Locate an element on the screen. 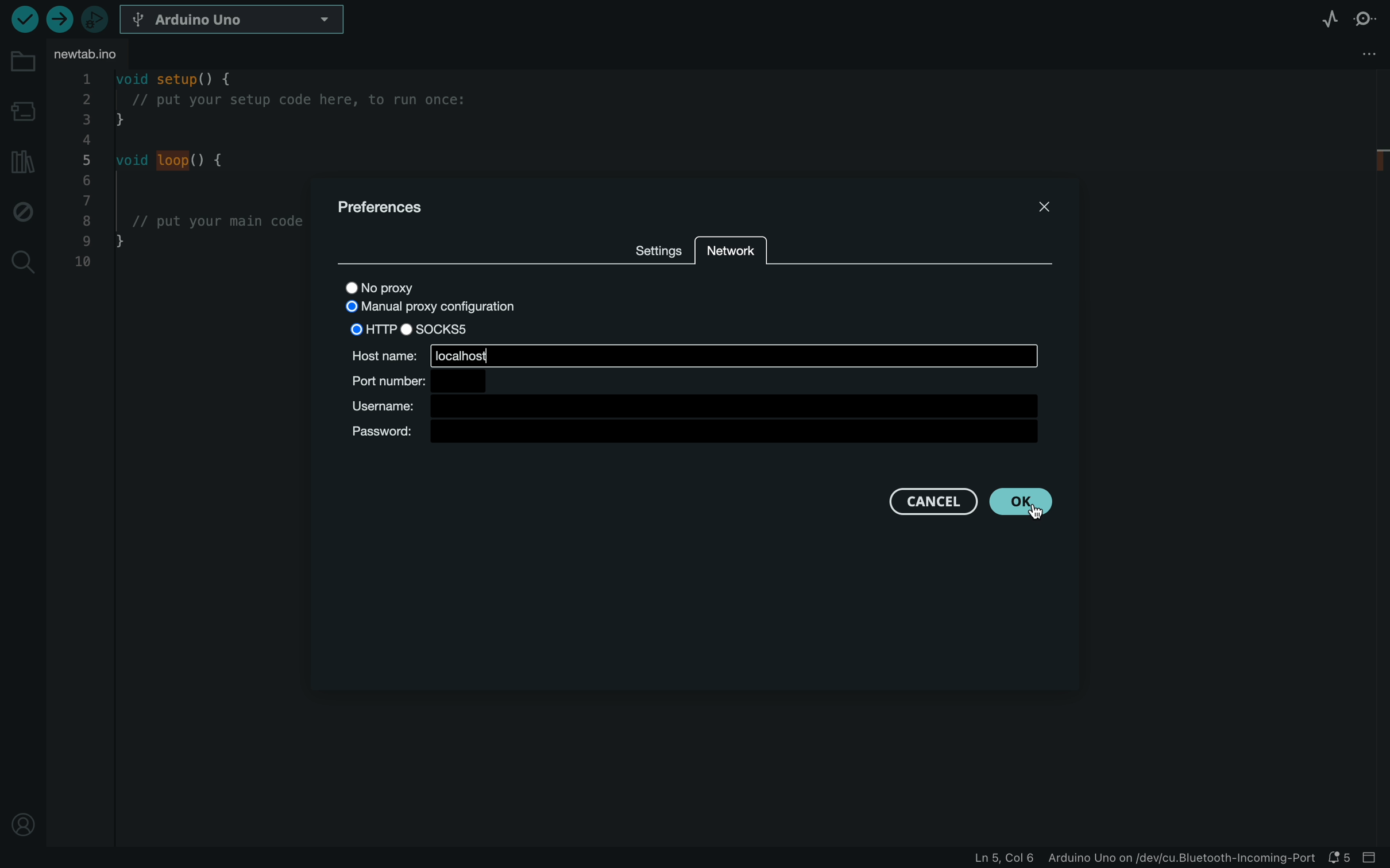 The width and height of the screenshot is (1390, 868). SETTINGS is located at coordinates (656, 249).